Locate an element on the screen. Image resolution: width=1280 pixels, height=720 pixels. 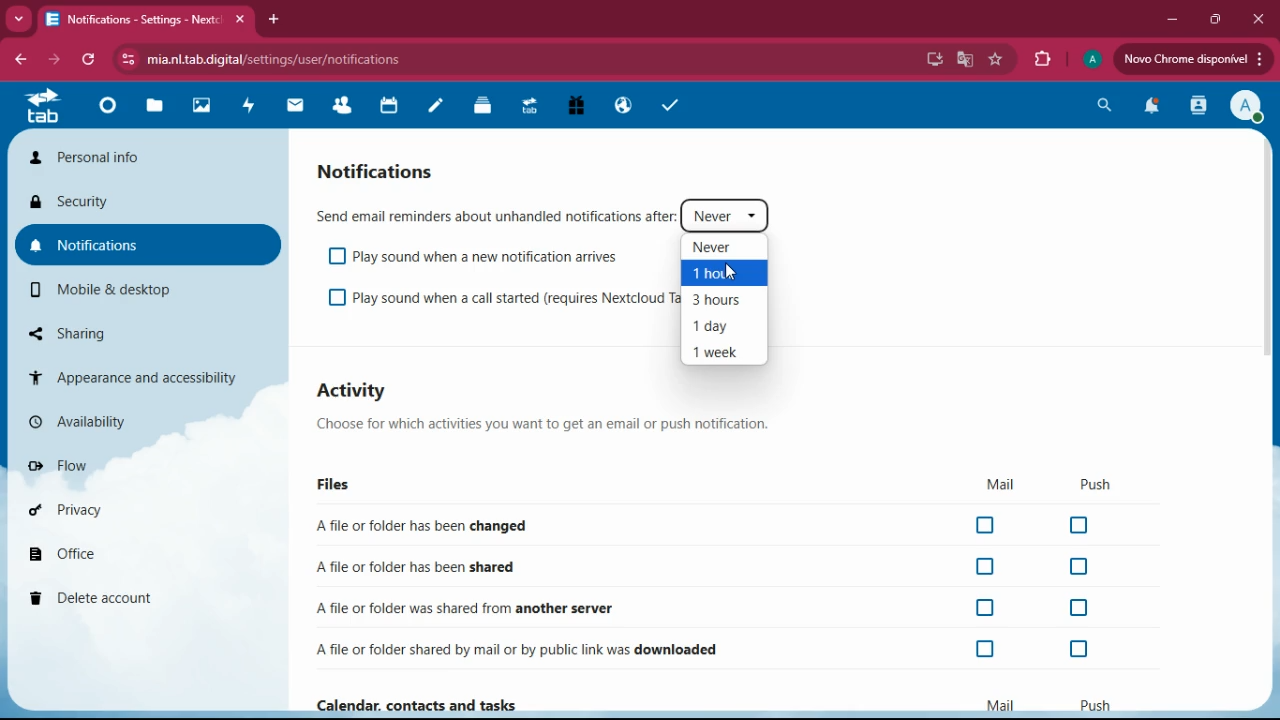
forward is located at coordinates (54, 59).